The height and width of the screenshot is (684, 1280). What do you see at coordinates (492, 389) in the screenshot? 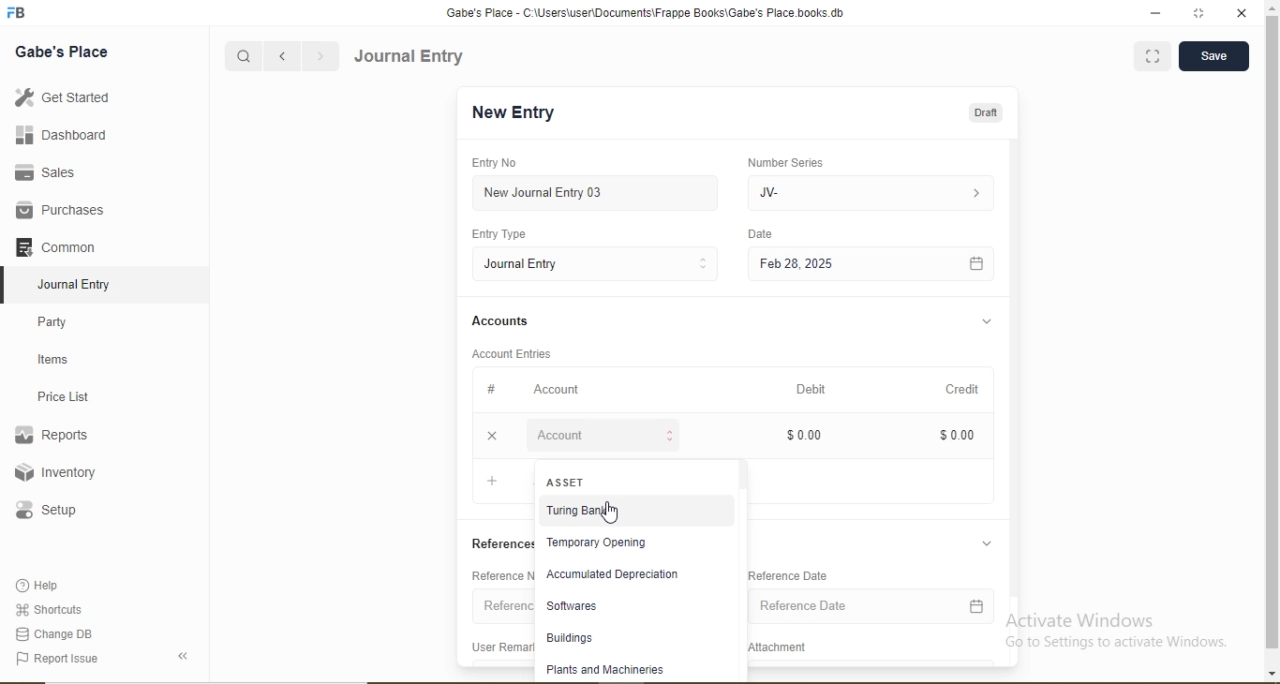
I see `#` at bounding box center [492, 389].